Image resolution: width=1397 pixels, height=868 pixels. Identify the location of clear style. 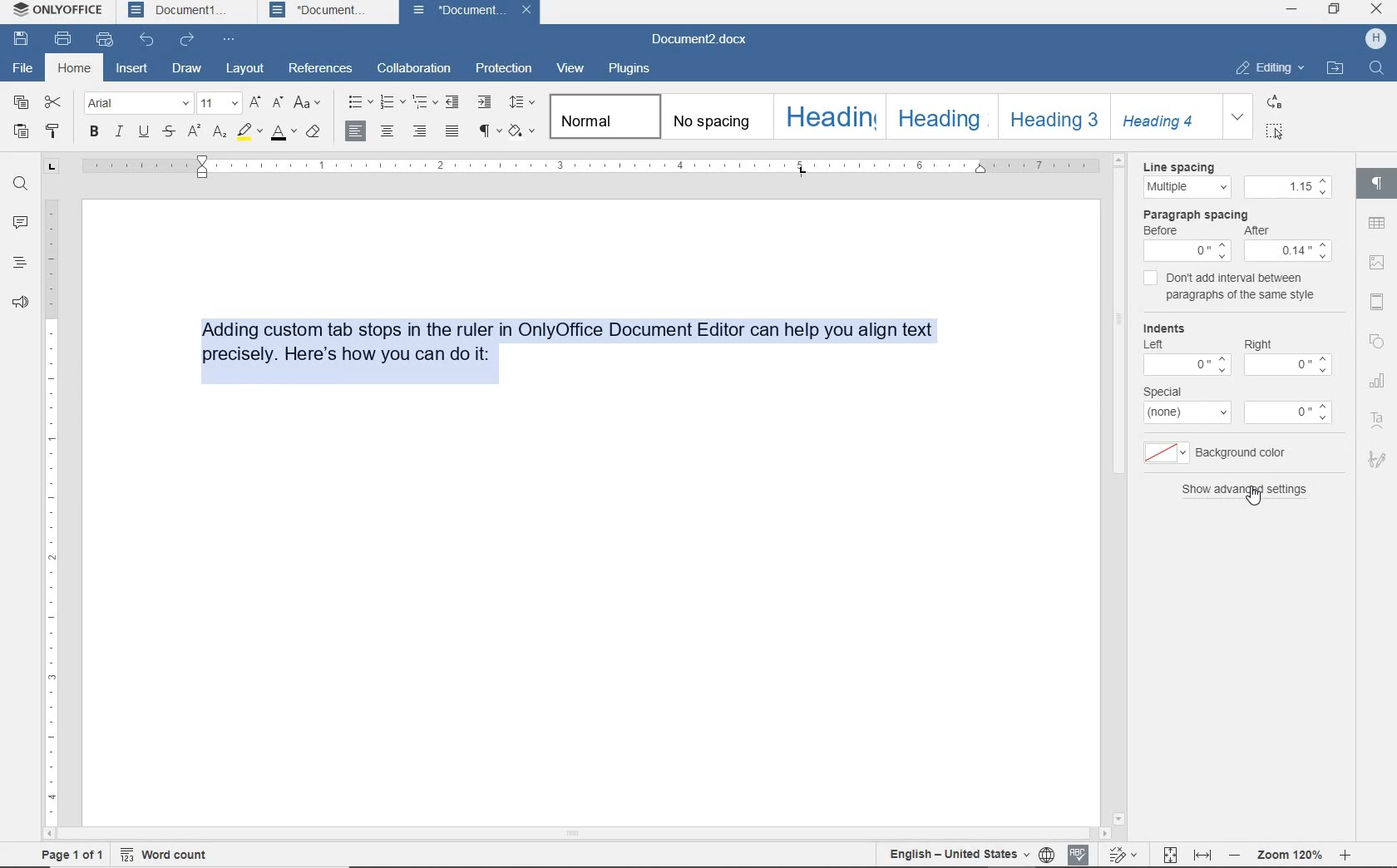
(317, 134).